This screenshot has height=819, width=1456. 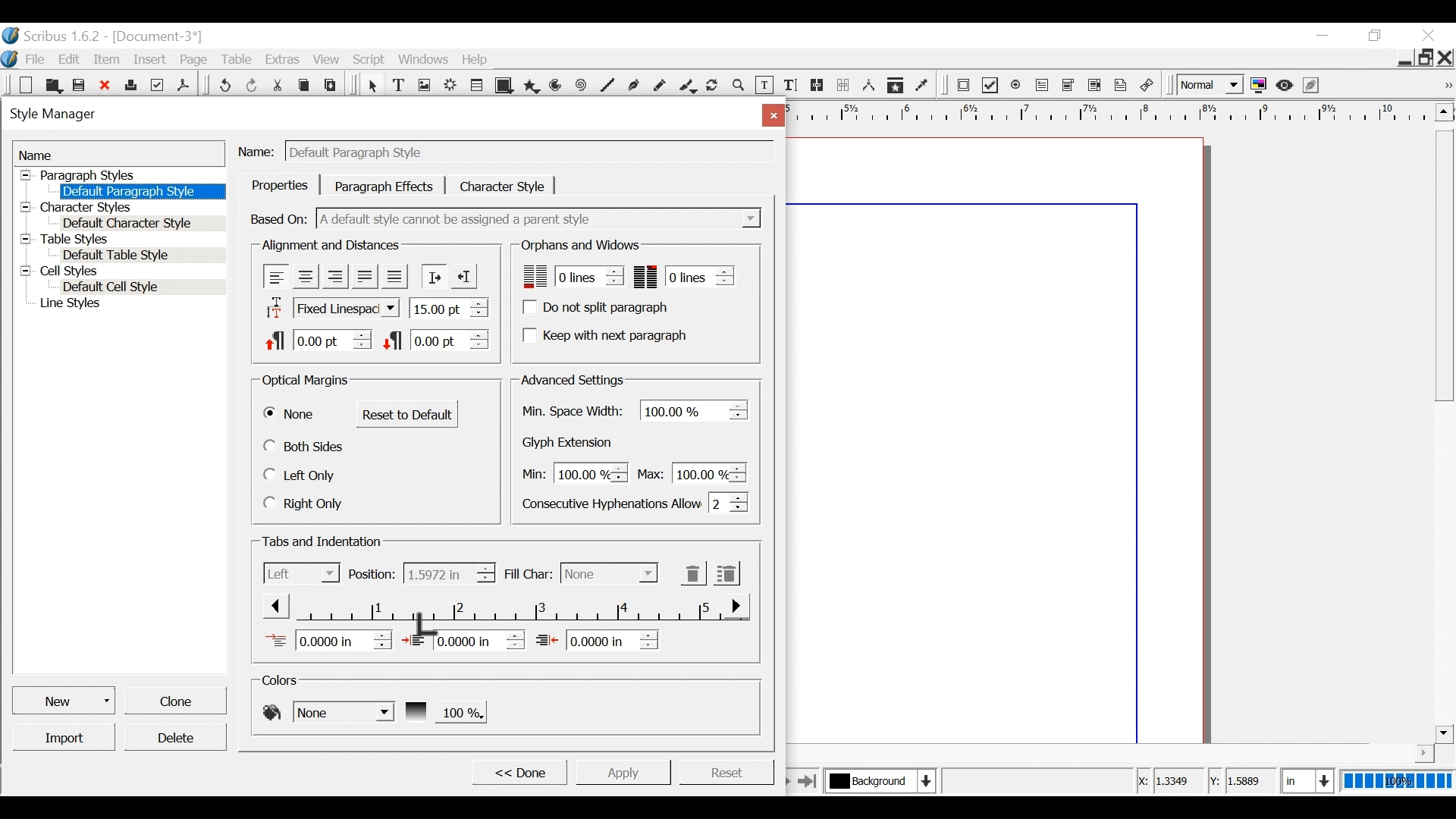 I want to click on PDF Radio Button, so click(x=1017, y=86).